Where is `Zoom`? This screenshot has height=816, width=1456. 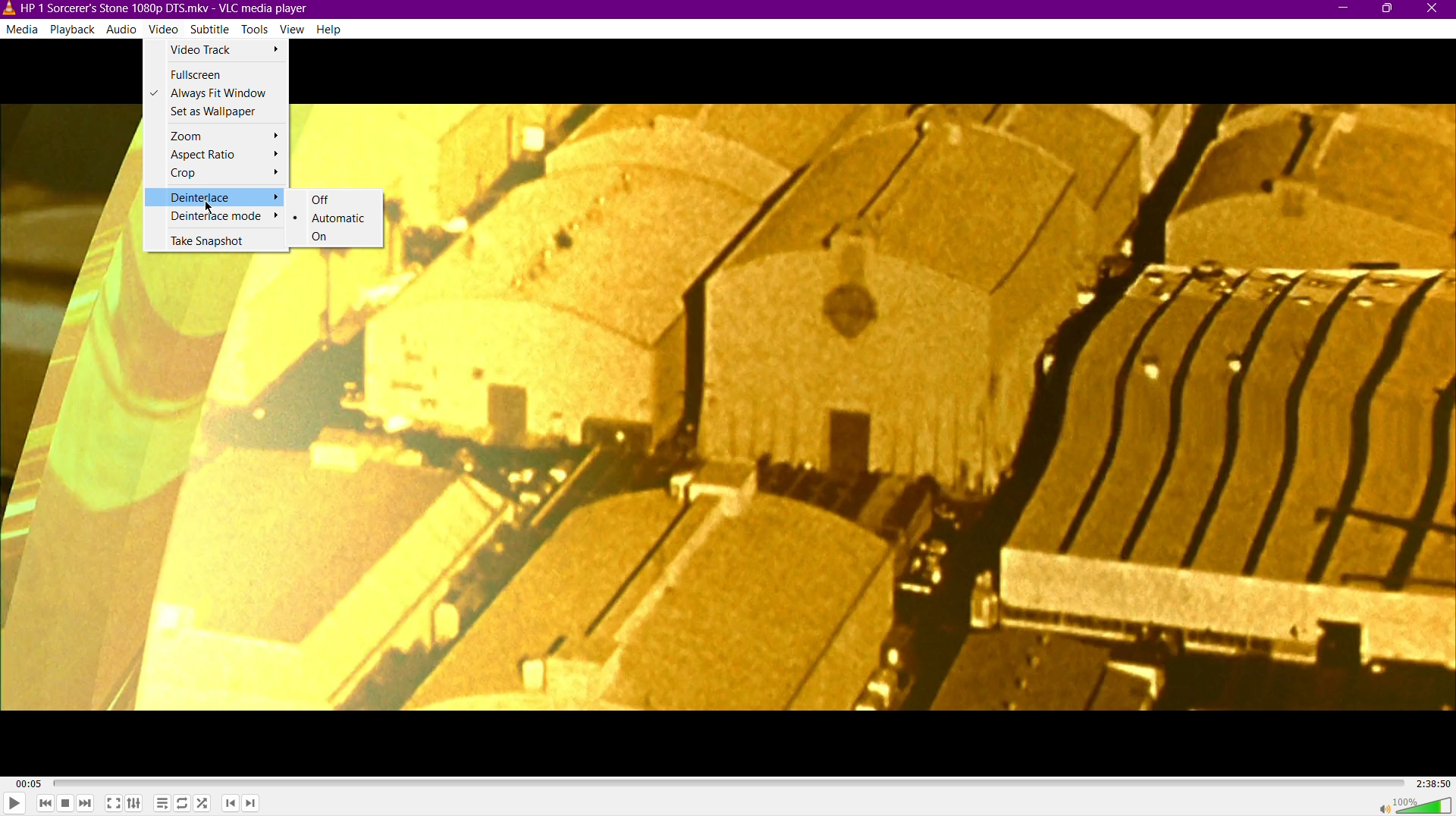 Zoom is located at coordinates (217, 134).